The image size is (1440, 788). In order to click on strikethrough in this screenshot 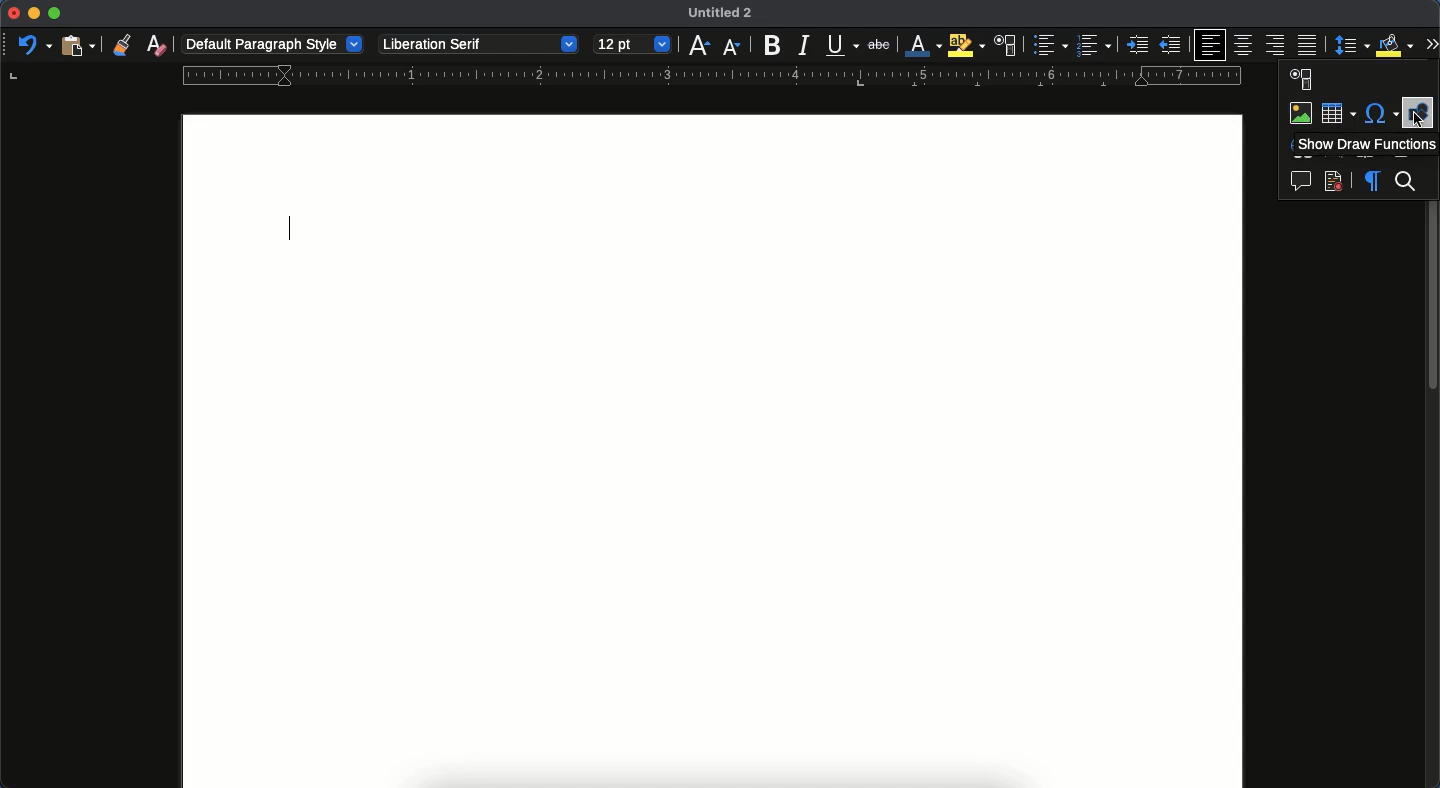, I will do `click(883, 45)`.